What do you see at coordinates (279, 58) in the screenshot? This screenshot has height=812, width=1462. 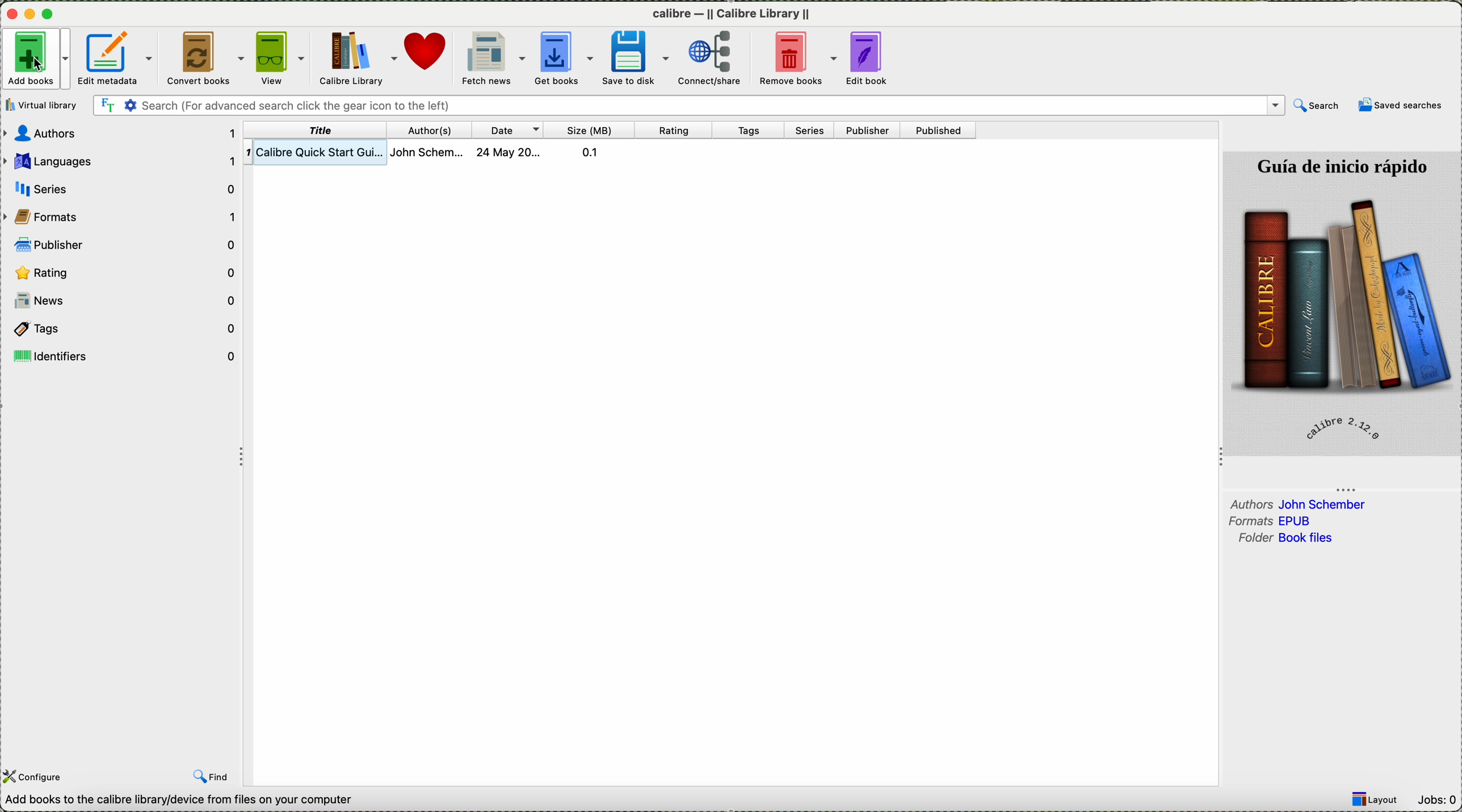 I see `view` at bounding box center [279, 58].